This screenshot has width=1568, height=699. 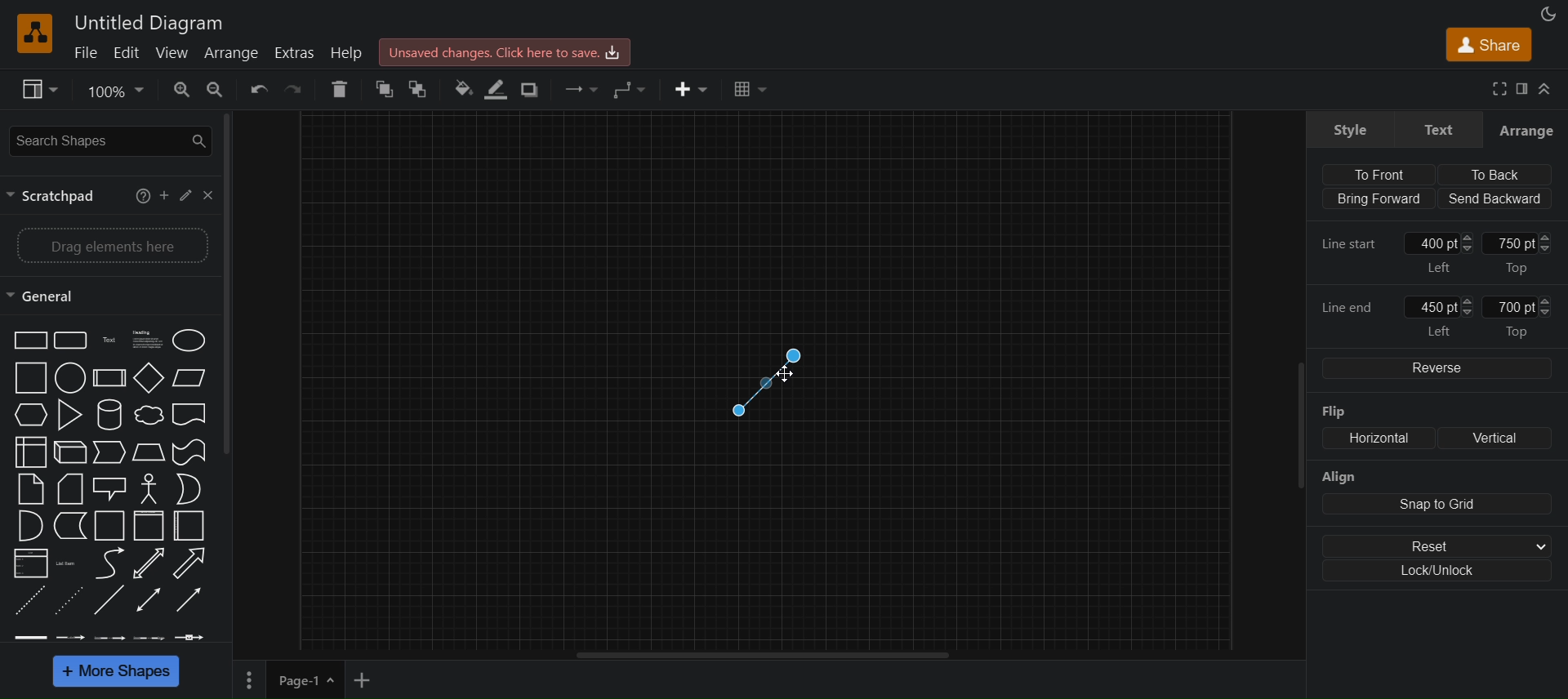 I want to click on dotted line, so click(x=69, y=602).